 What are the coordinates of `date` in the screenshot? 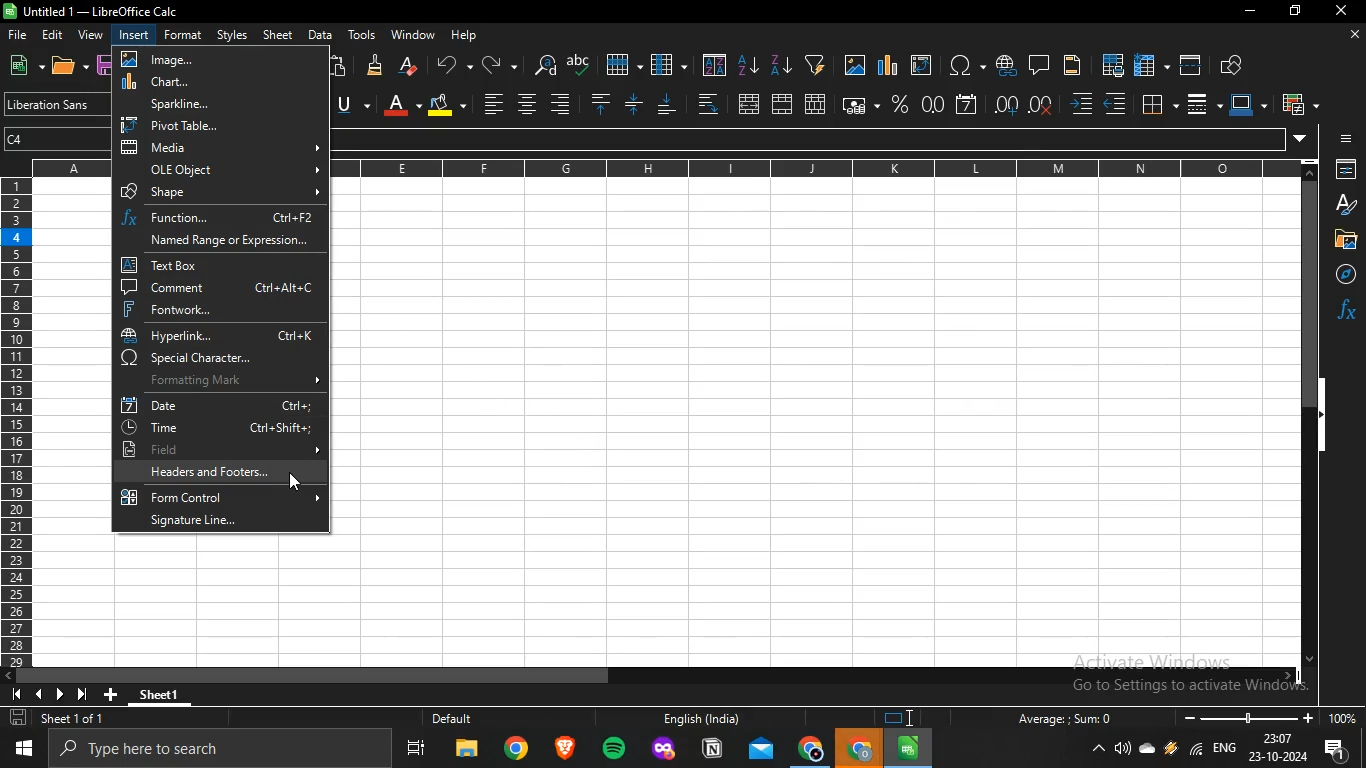 It's located at (220, 404).